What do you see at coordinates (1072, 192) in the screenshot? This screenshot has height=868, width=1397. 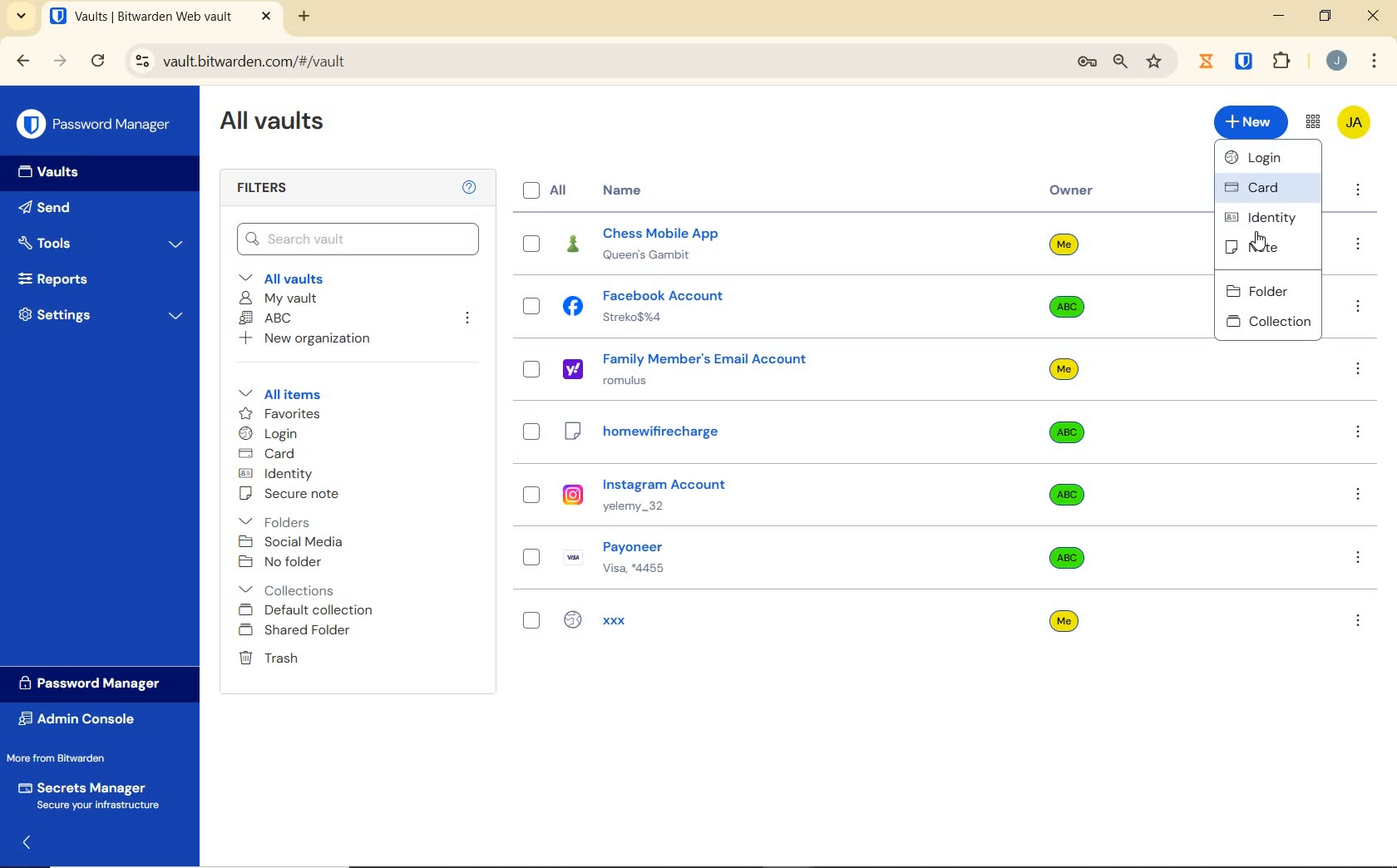 I see `owner` at bounding box center [1072, 192].